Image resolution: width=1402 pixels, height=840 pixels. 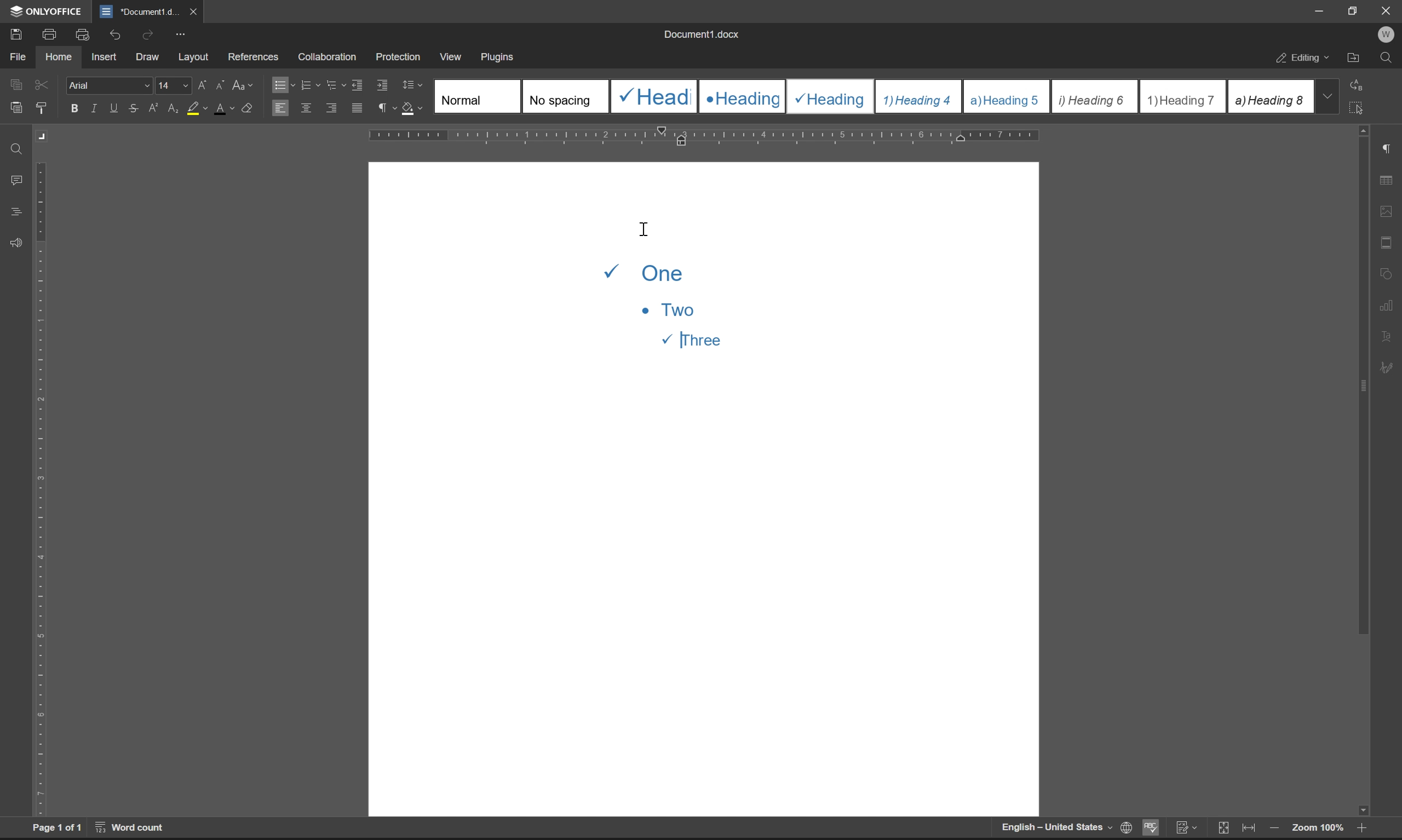 What do you see at coordinates (383, 85) in the screenshot?
I see `increase indent` at bounding box center [383, 85].